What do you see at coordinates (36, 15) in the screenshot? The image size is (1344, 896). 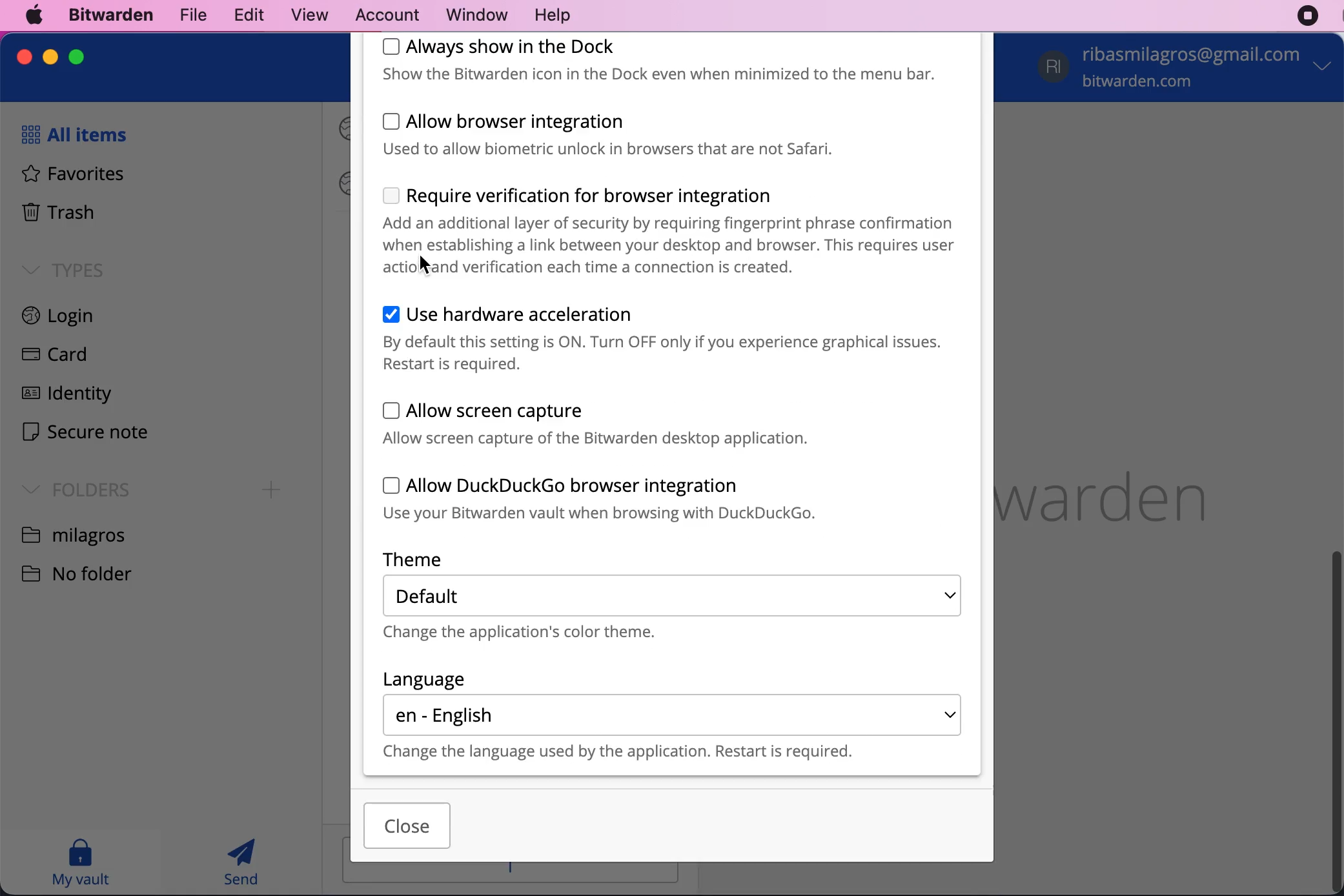 I see `mac logo` at bounding box center [36, 15].